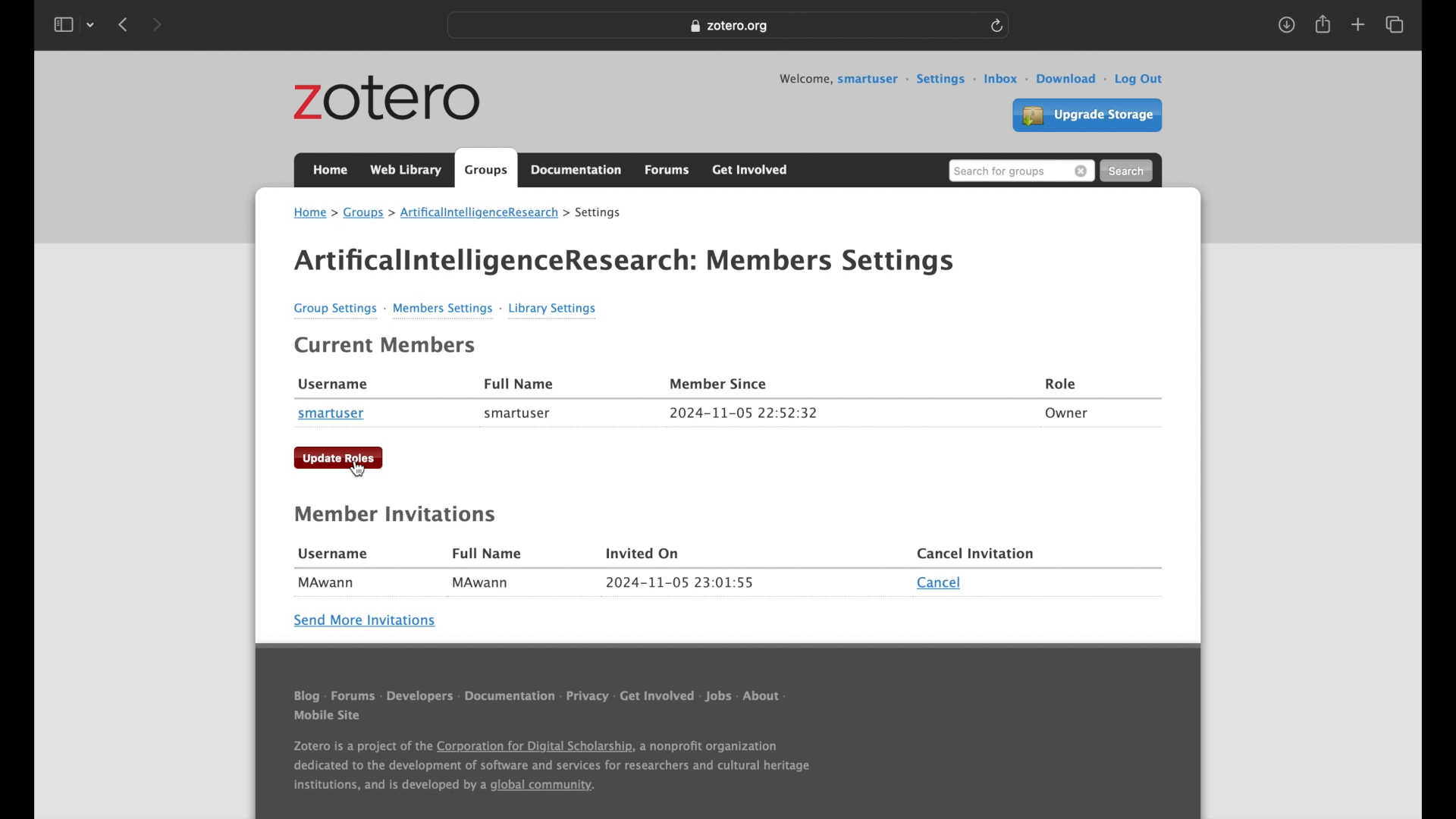 The width and height of the screenshot is (1456, 819). I want to click on forums, so click(668, 171).